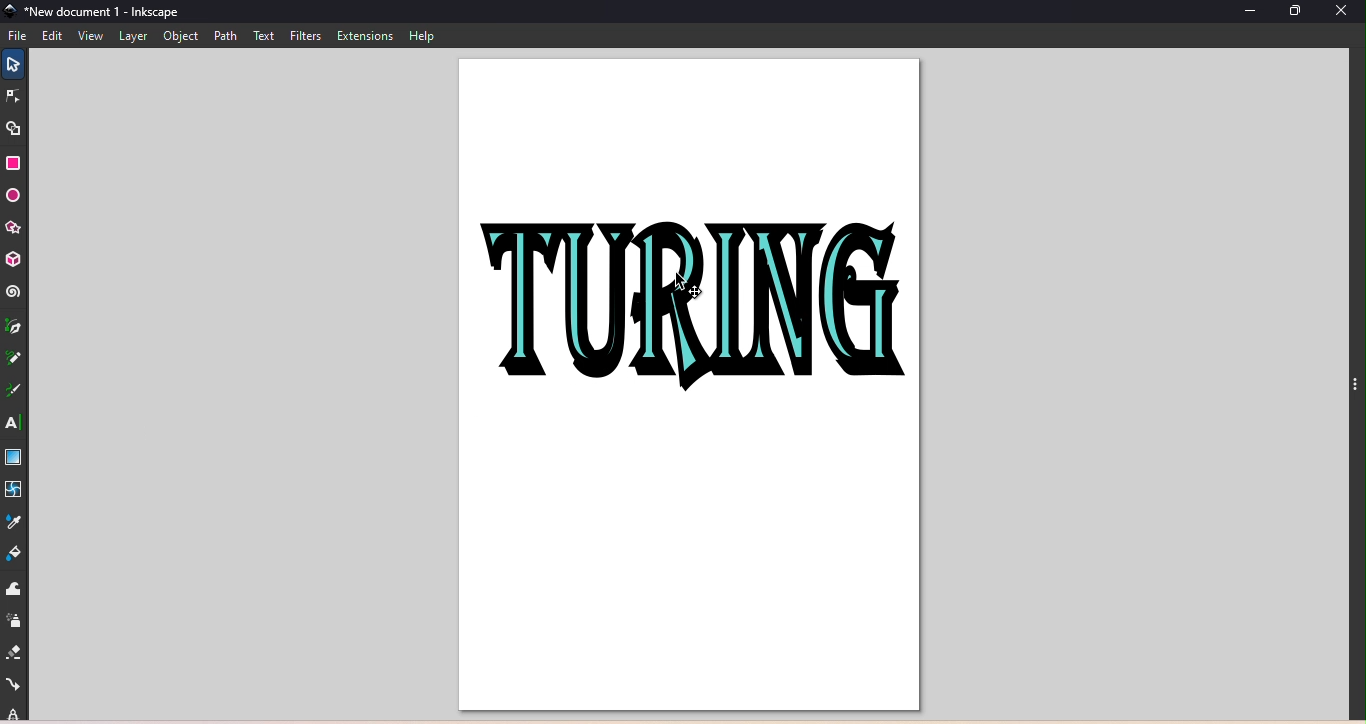 This screenshot has width=1366, height=724. I want to click on Pen tool, so click(15, 329).